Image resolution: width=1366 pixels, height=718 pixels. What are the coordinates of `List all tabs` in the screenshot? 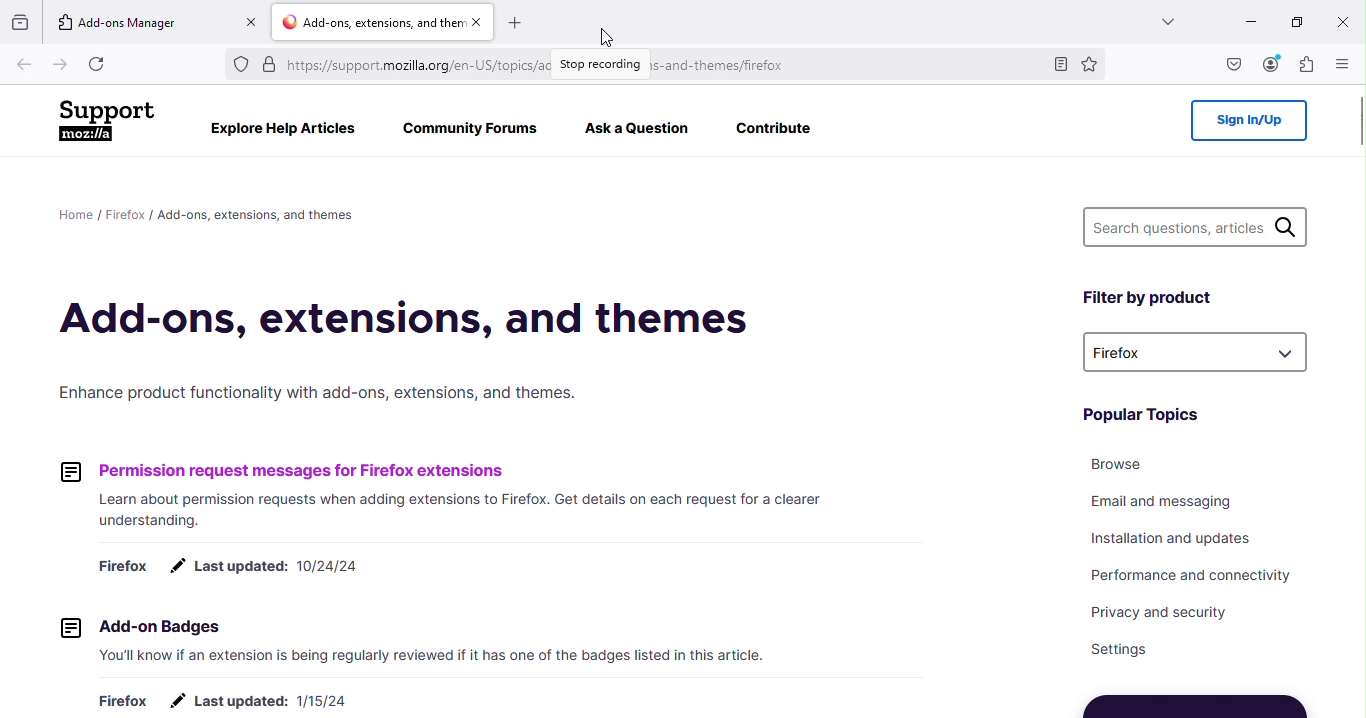 It's located at (1168, 19).